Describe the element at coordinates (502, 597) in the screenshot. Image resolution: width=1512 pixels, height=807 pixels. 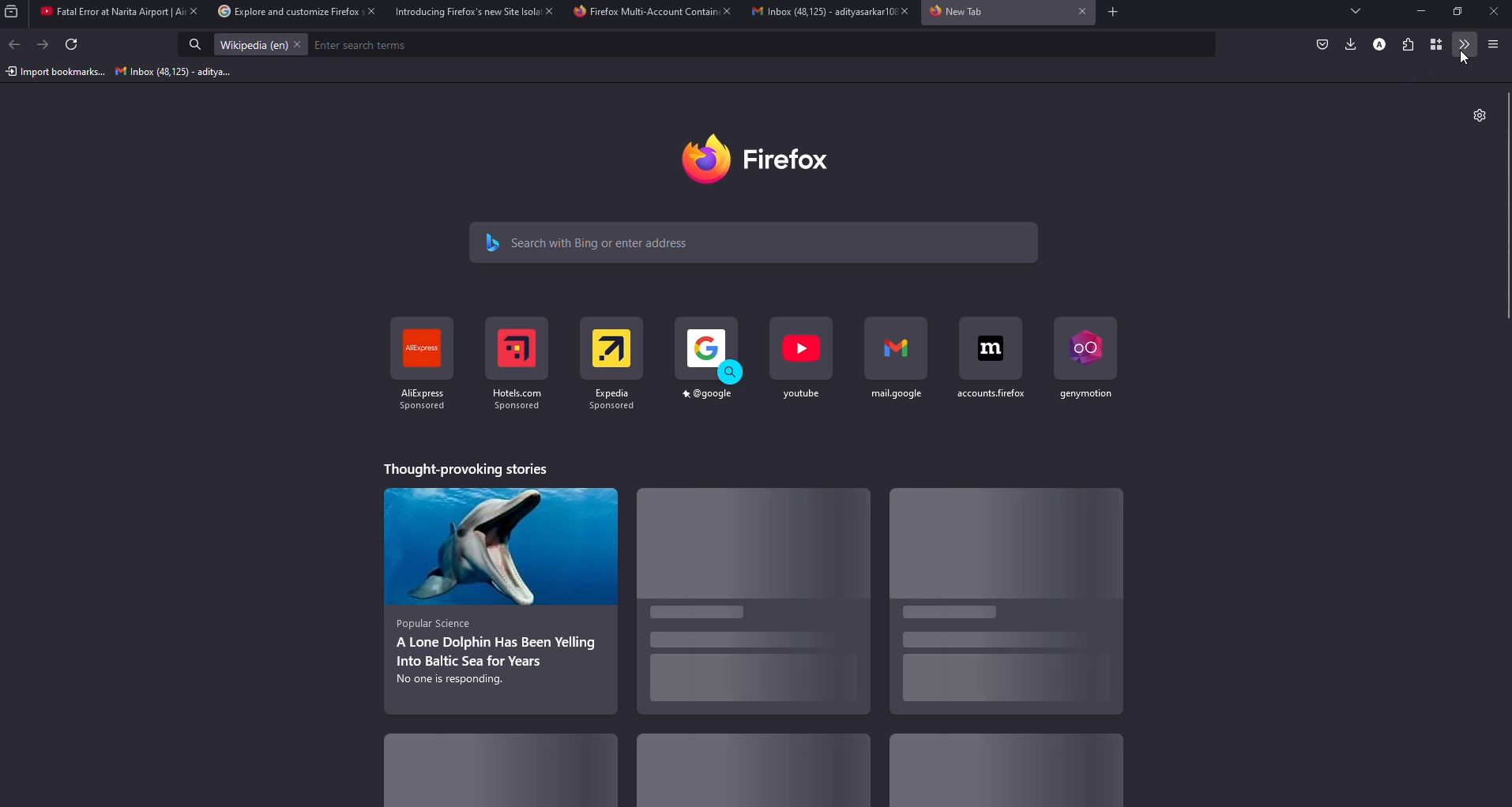
I see `stories` at that location.